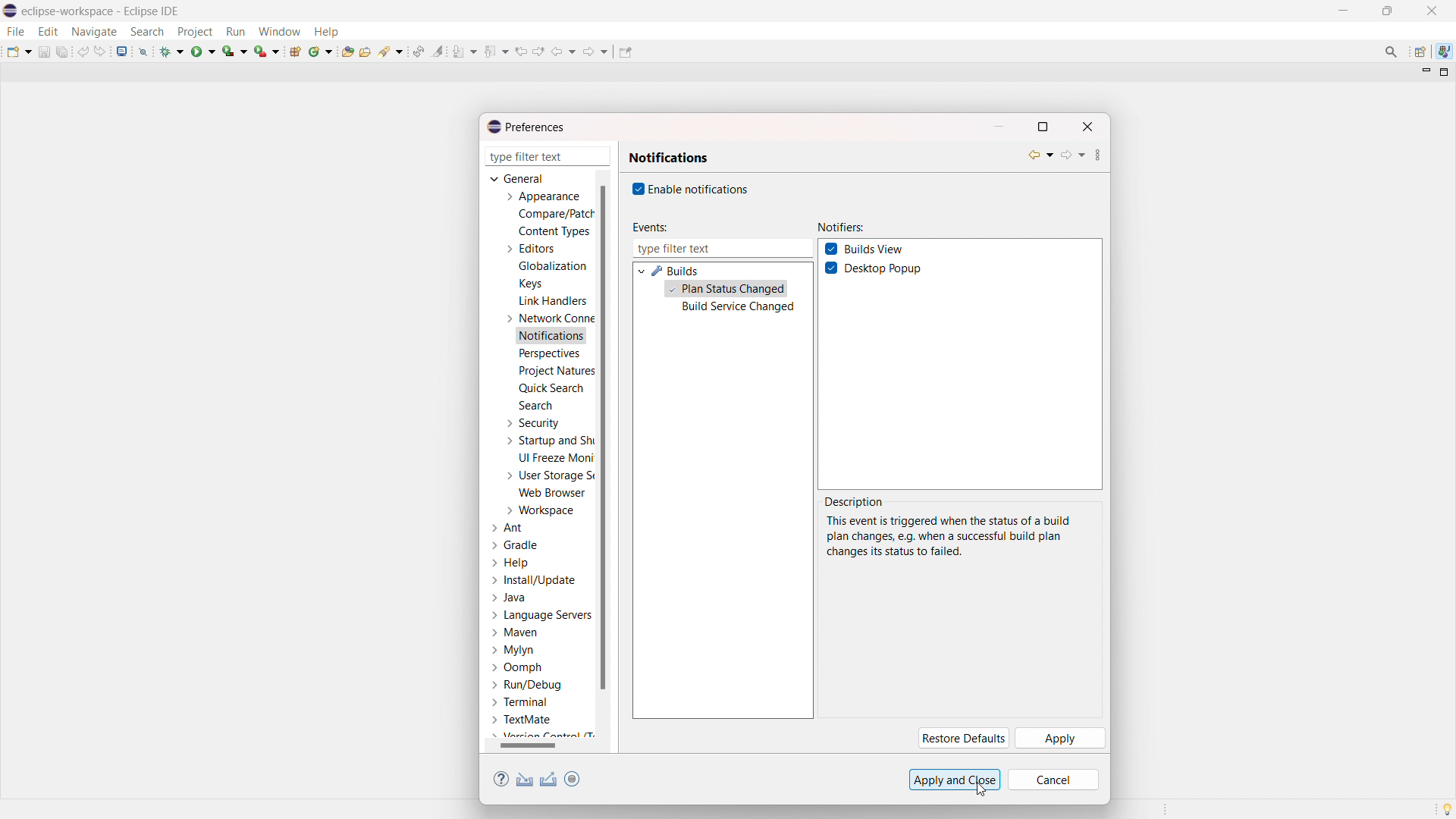 The width and height of the screenshot is (1456, 819). What do you see at coordinates (521, 703) in the screenshot?
I see `terminal` at bounding box center [521, 703].